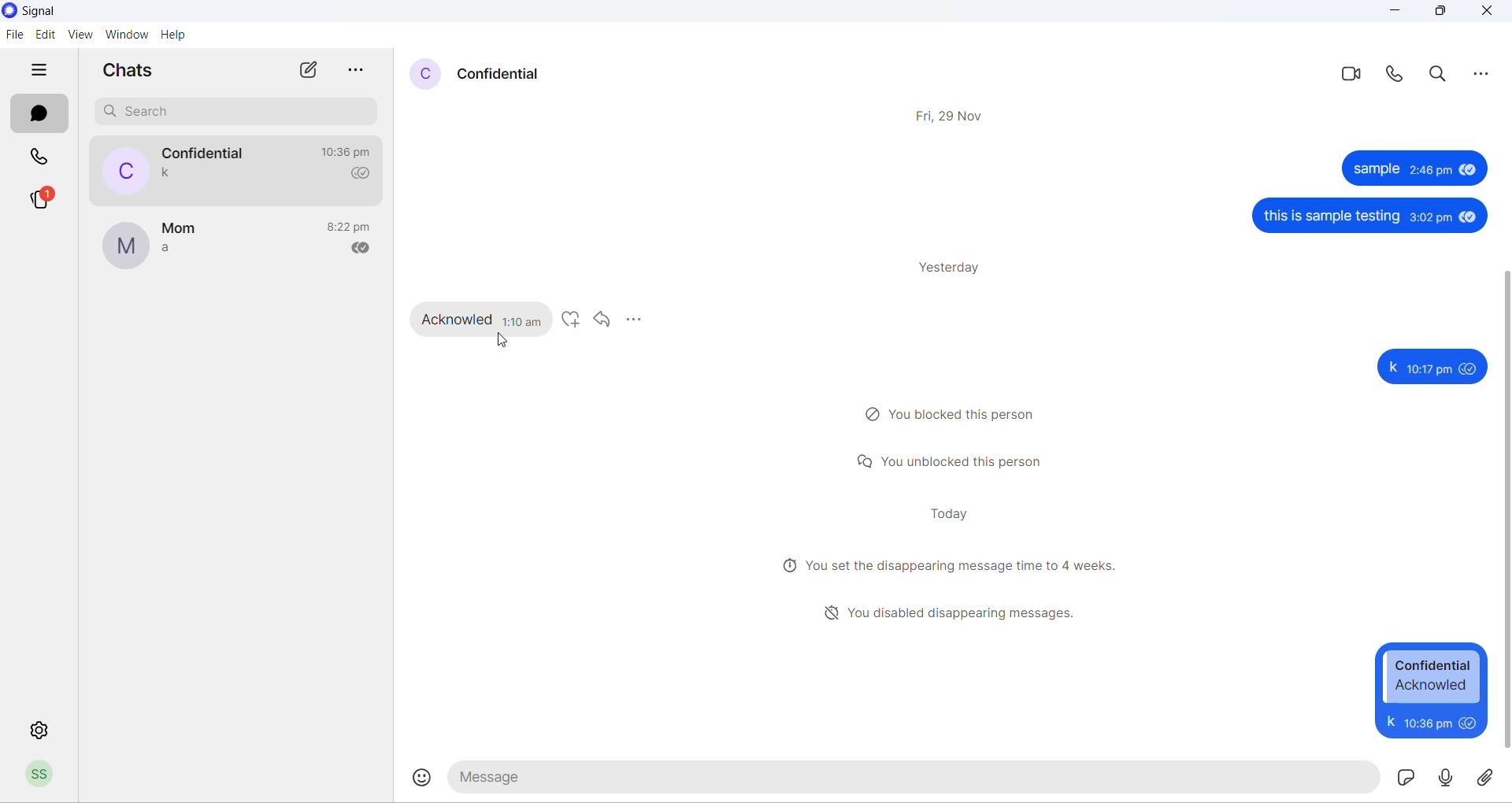 The image size is (1512, 803). What do you see at coordinates (129, 246) in the screenshot?
I see `profile picture` at bounding box center [129, 246].